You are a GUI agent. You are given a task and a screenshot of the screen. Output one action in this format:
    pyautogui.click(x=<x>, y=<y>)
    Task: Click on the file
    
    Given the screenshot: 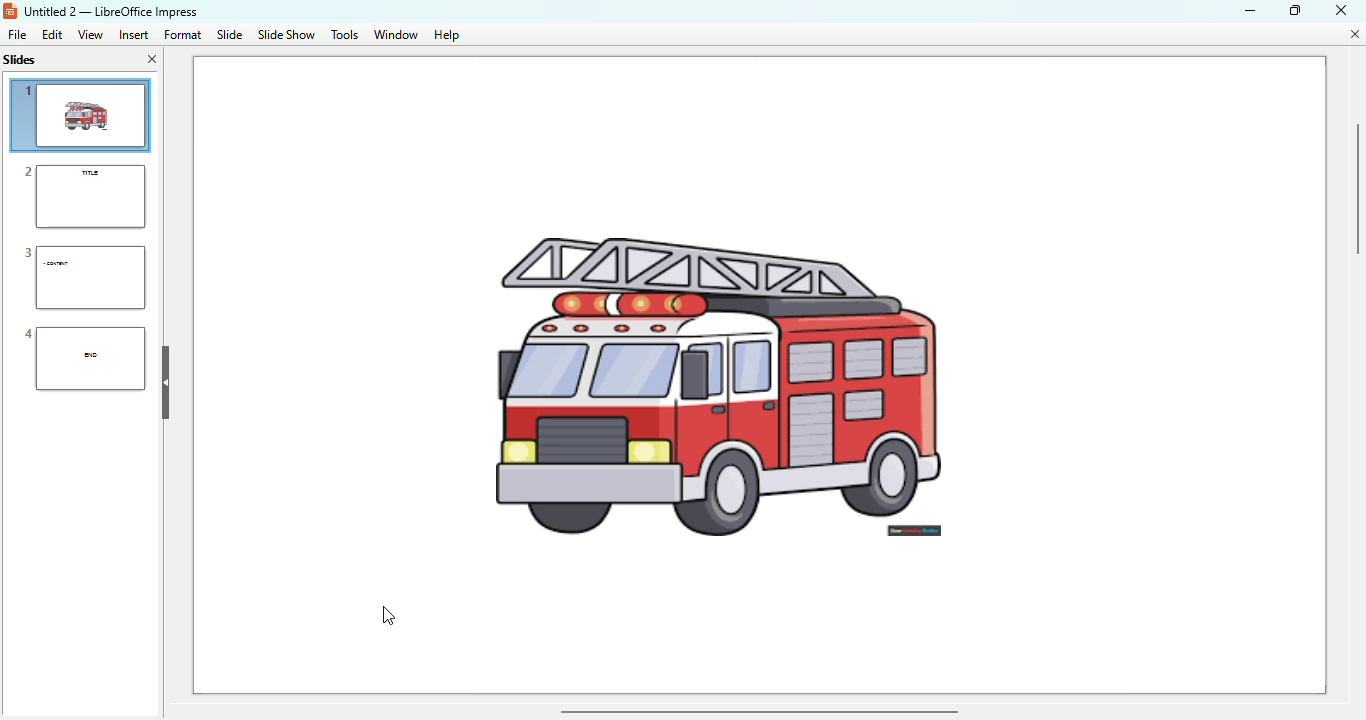 What is the action you would take?
    pyautogui.click(x=17, y=34)
    